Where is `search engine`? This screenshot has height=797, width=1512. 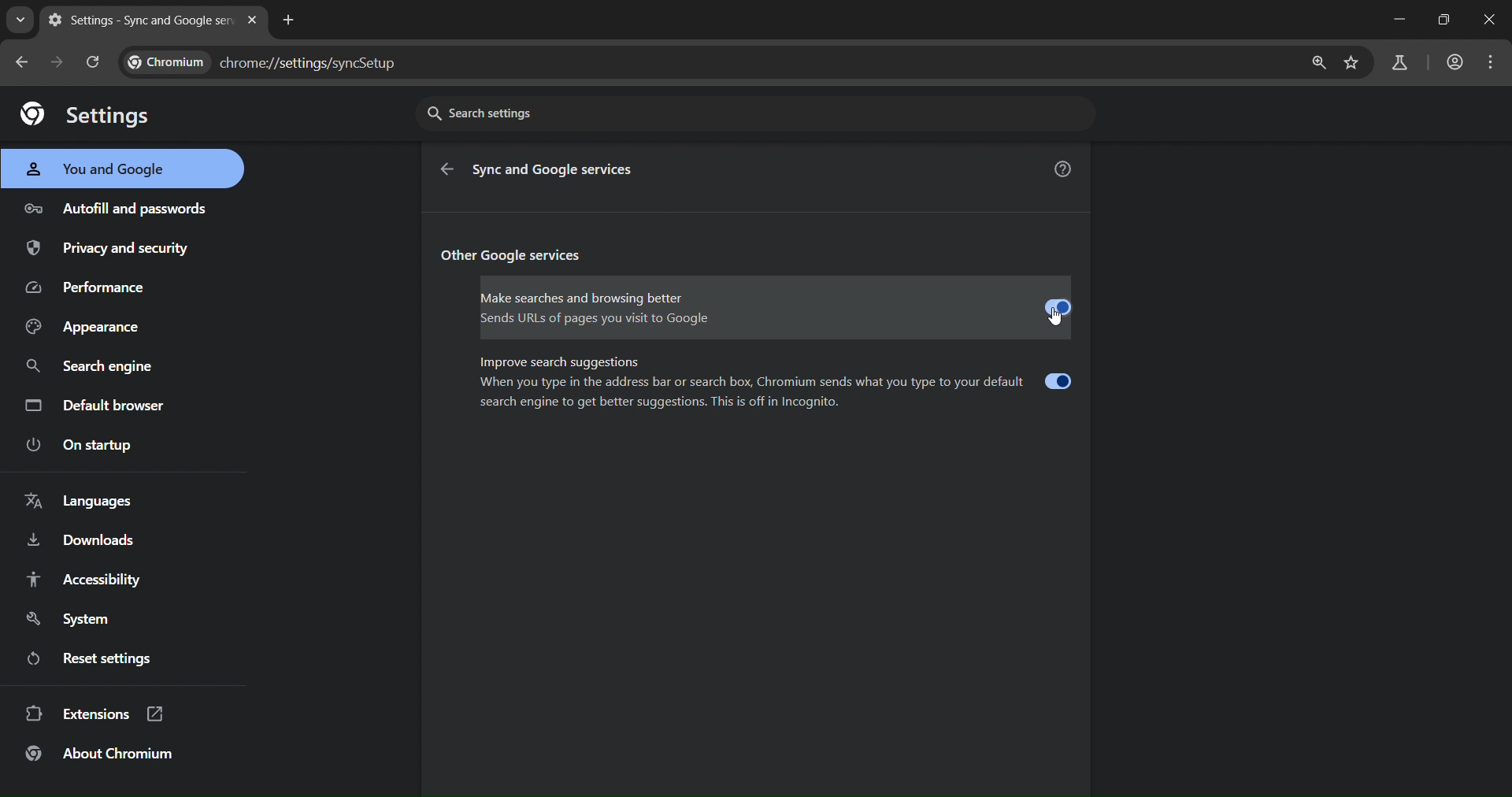
search engine is located at coordinates (93, 368).